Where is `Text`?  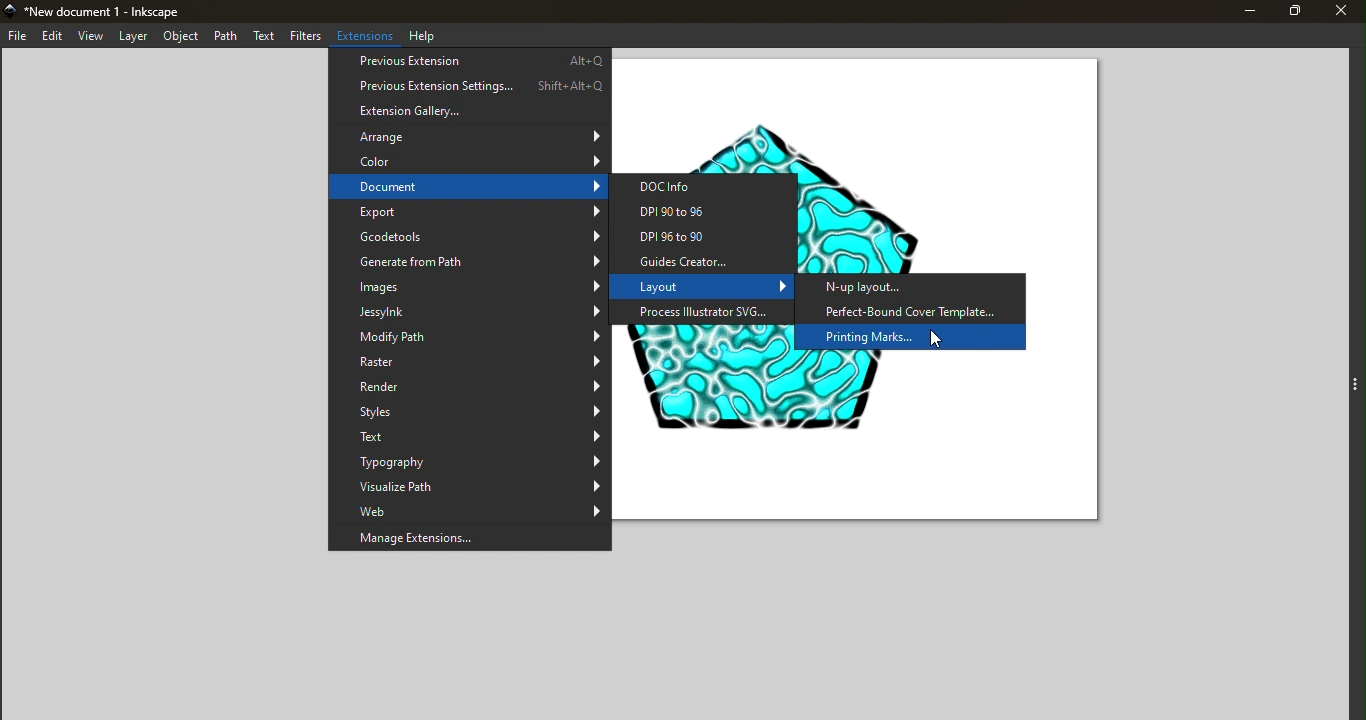 Text is located at coordinates (470, 437).